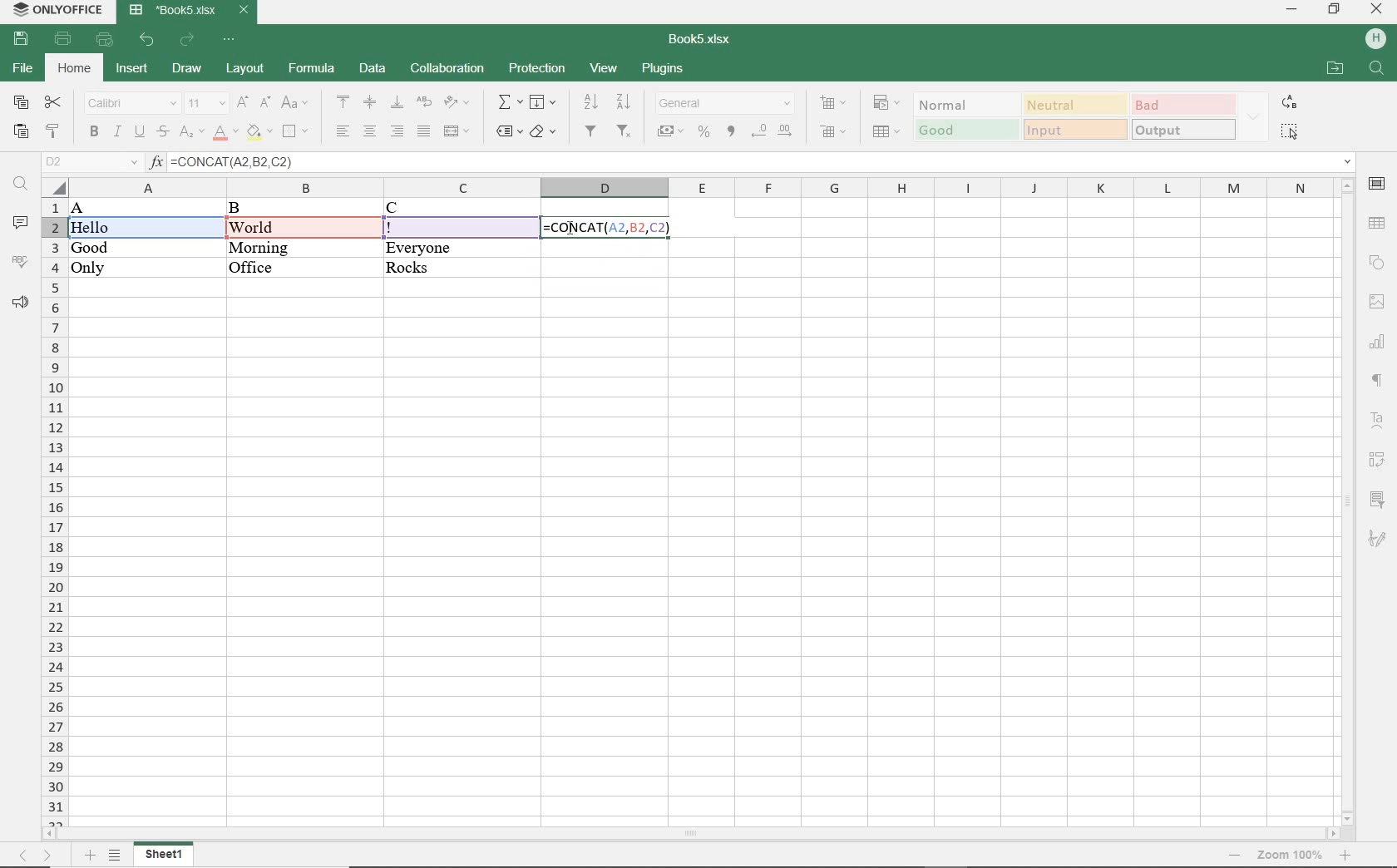 The width and height of the screenshot is (1397, 868). What do you see at coordinates (107, 40) in the screenshot?
I see `QUICK PRINT` at bounding box center [107, 40].